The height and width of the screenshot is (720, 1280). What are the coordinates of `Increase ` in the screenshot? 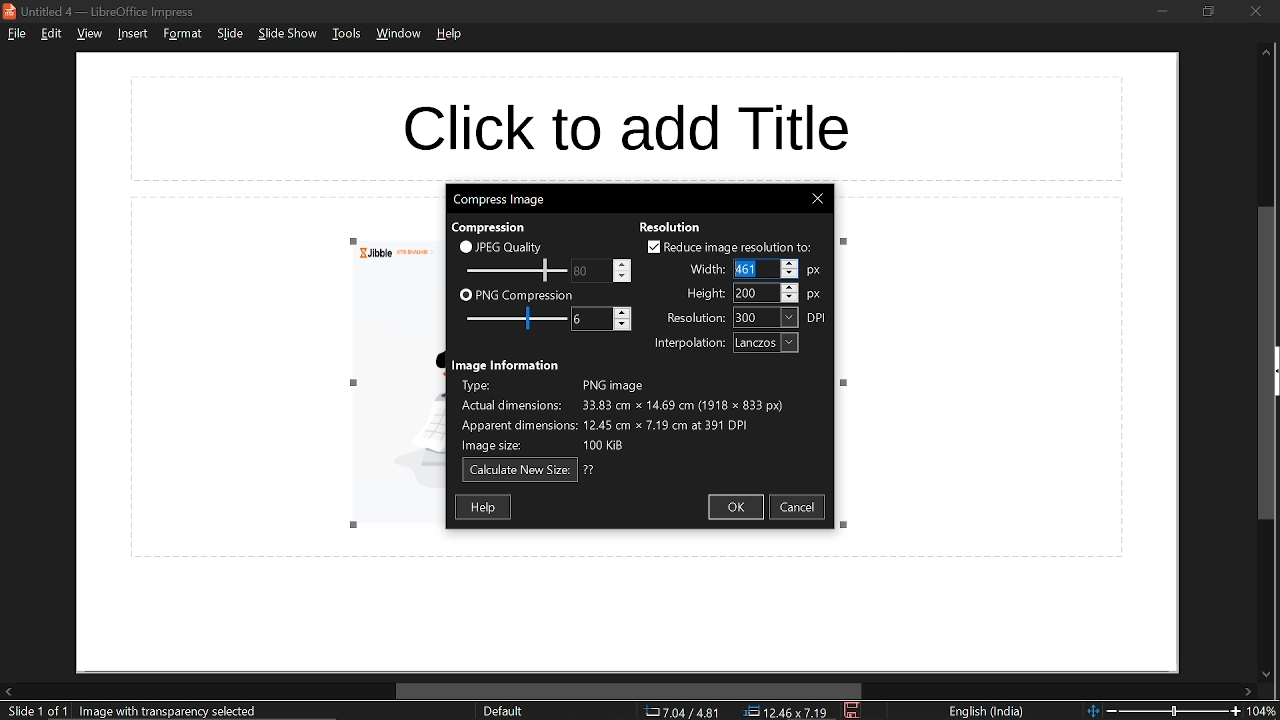 It's located at (791, 286).